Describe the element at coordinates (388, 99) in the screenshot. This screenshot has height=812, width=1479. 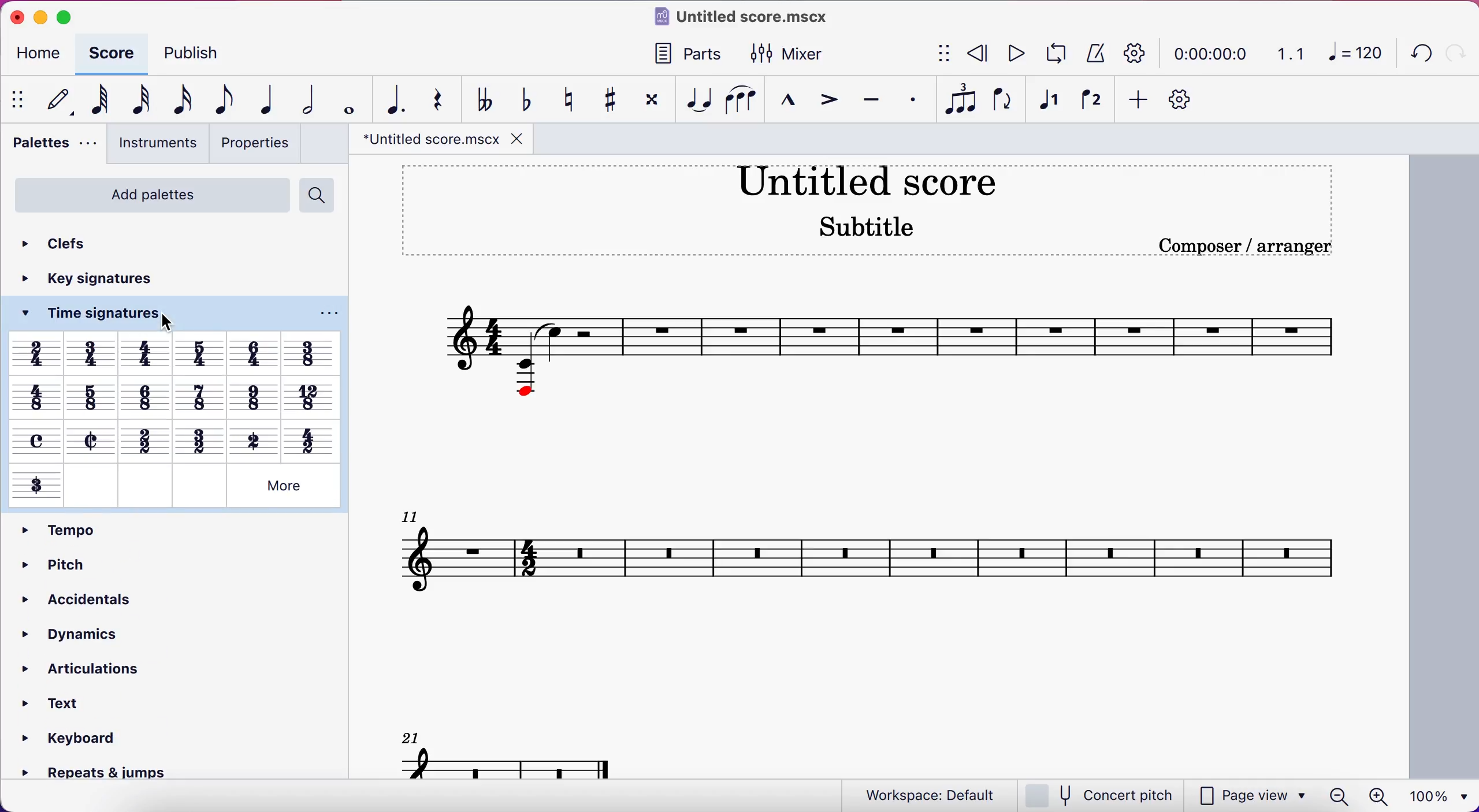
I see `augmentation dot` at that location.